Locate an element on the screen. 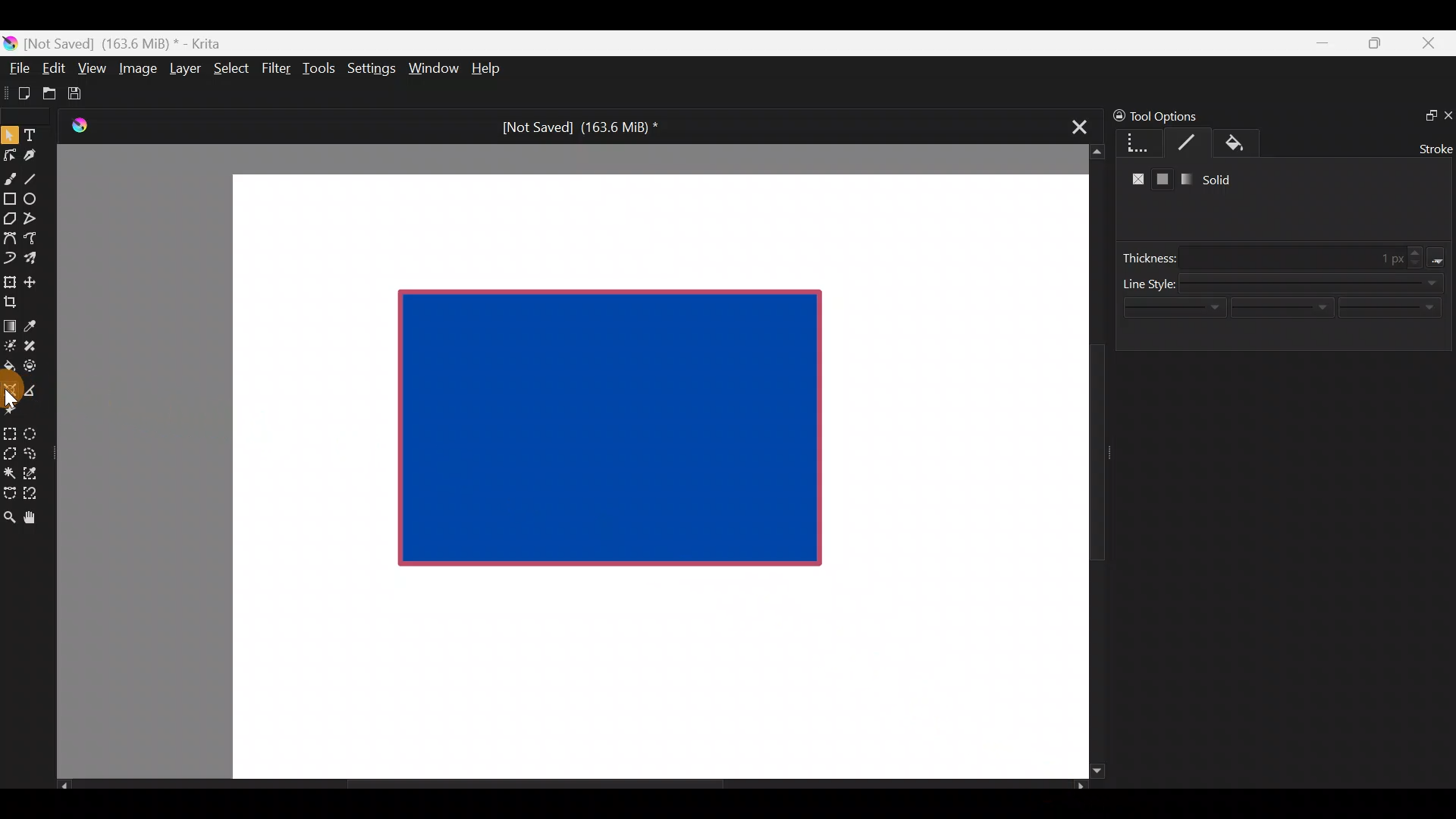 Image resolution: width=1456 pixels, height=819 pixels. Reference images tool is located at coordinates (14, 413).